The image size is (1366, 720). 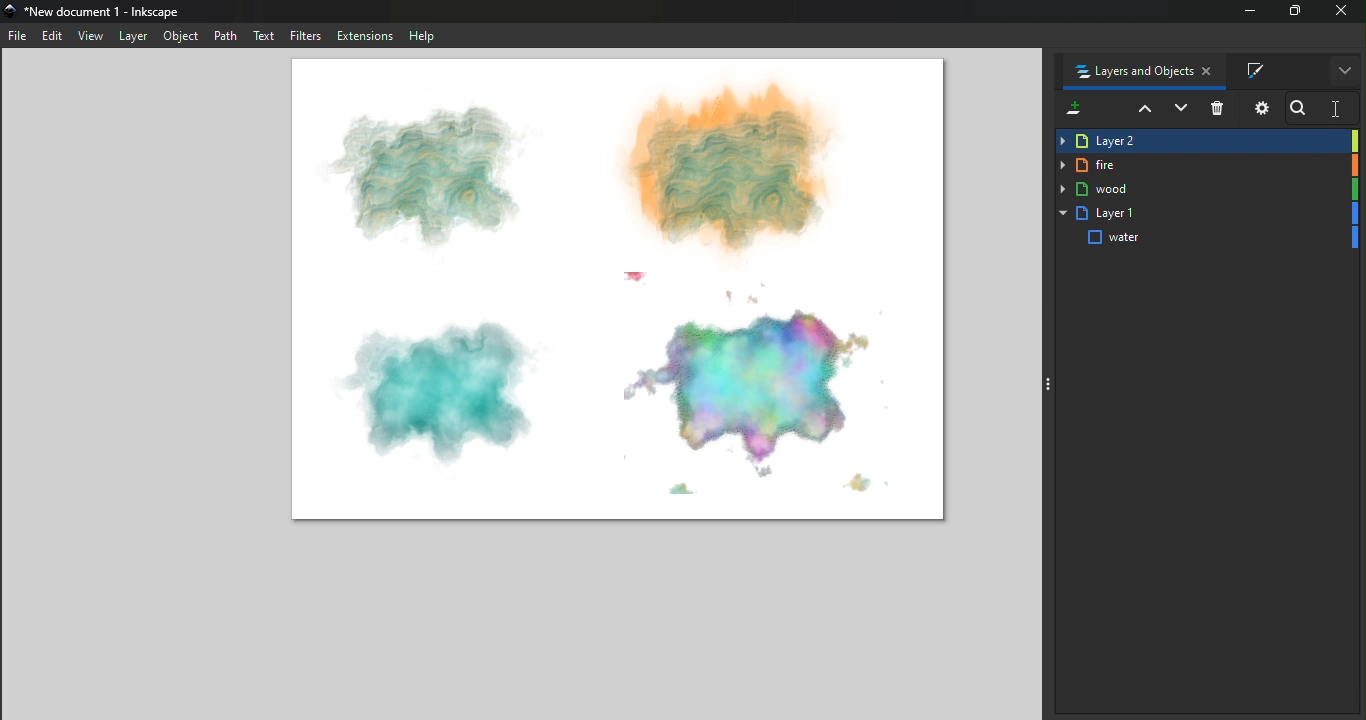 What do you see at coordinates (53, 38) in the screenshot?
I see `Edit` at bounding box center [53, 38].